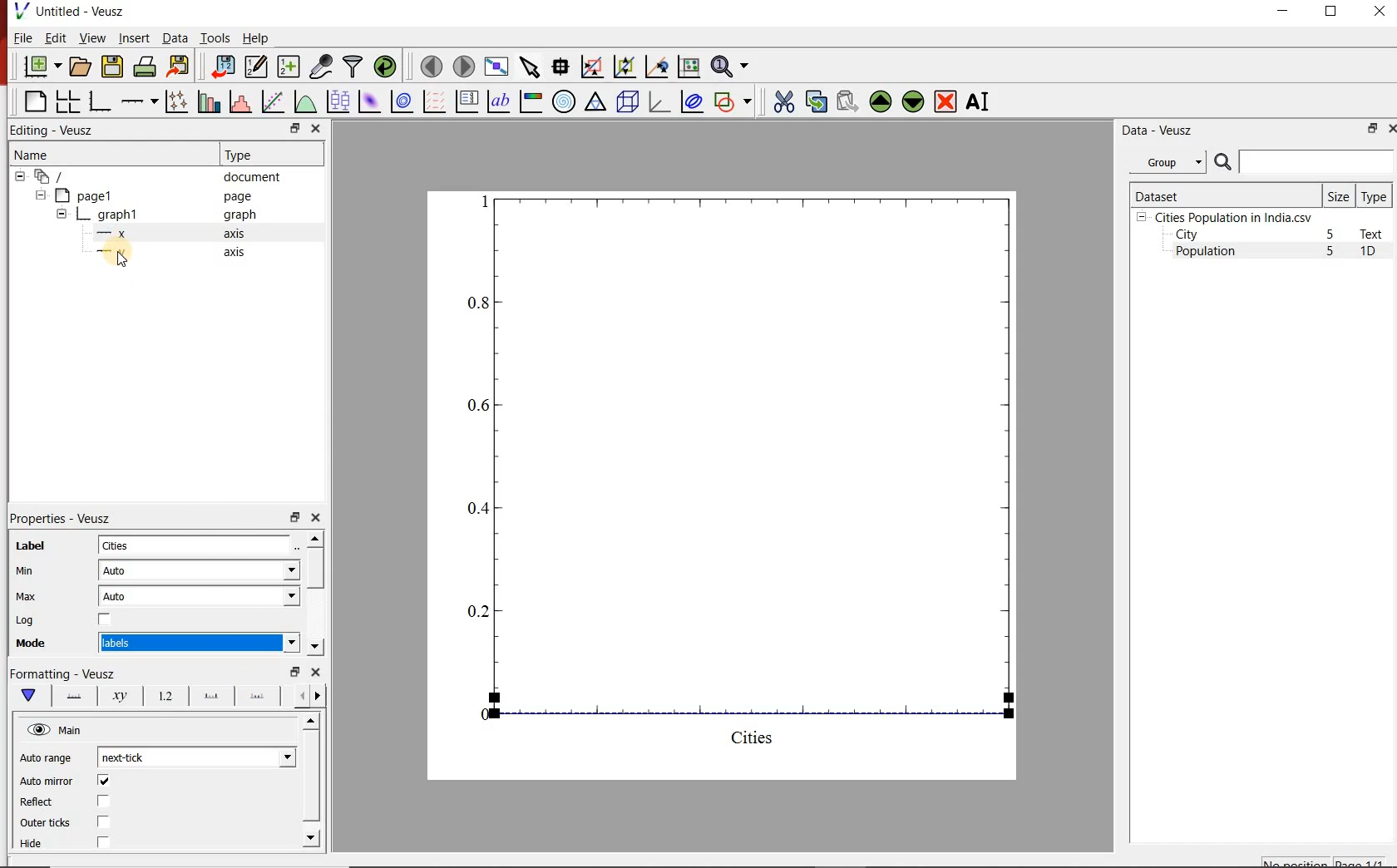 Image resolution: width=1397 pixels, height=868 pixels. I want to click on move to the previous page, so click(429, 65).